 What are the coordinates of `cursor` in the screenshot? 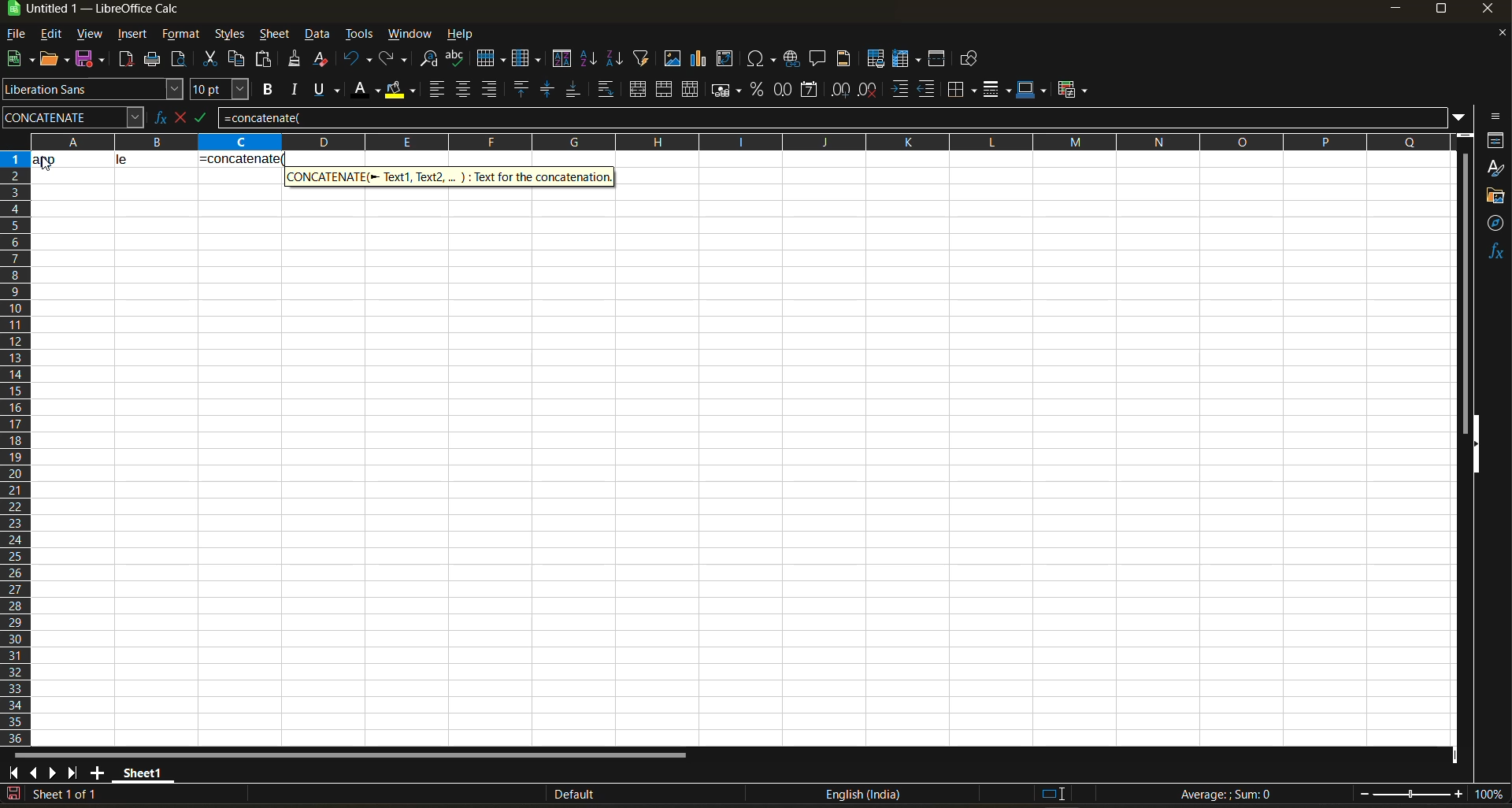 It's located at (49, 165).